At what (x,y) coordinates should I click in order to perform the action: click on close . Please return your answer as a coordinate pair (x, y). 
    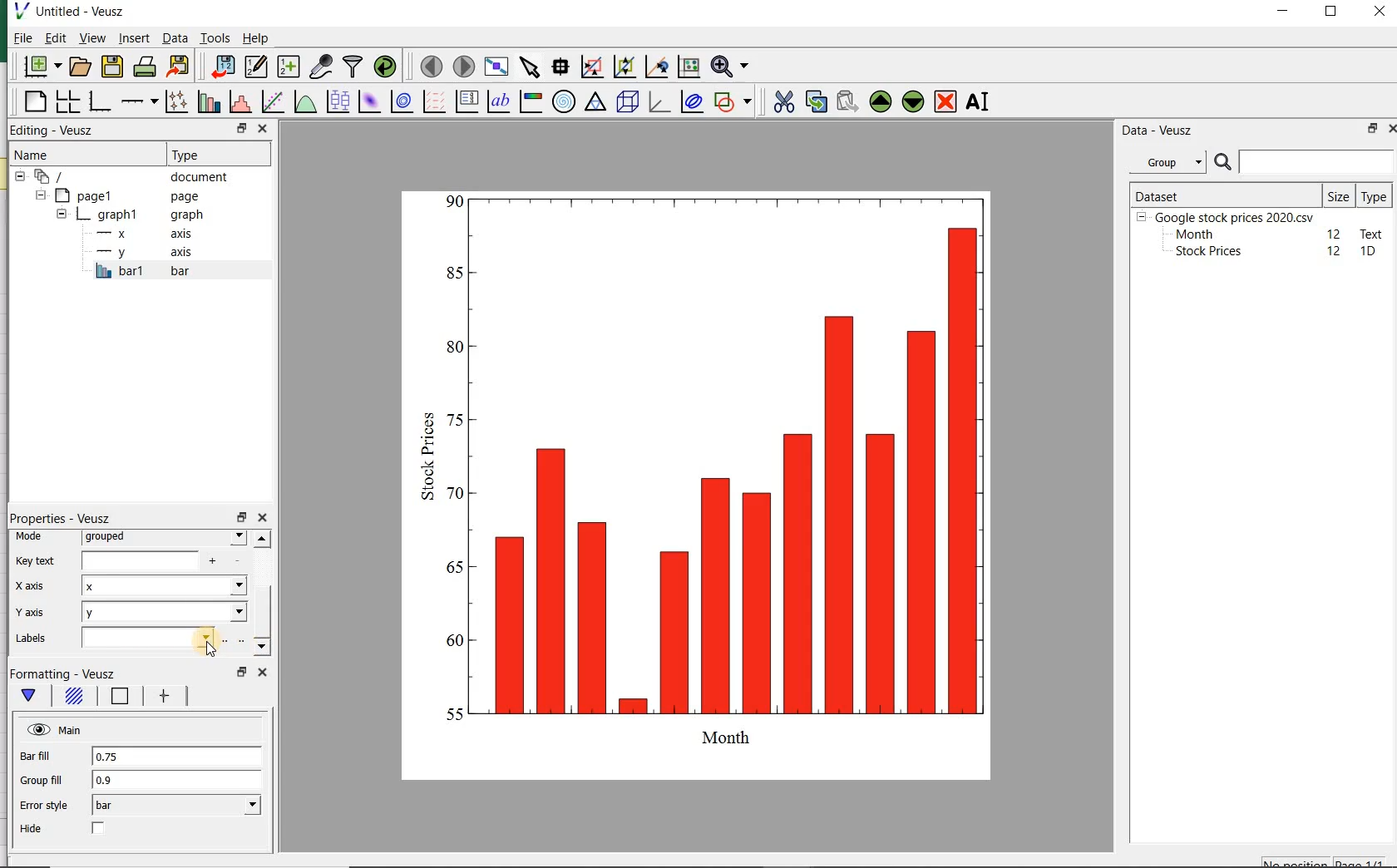
    Looking at the image, I should click on (1396, 129).